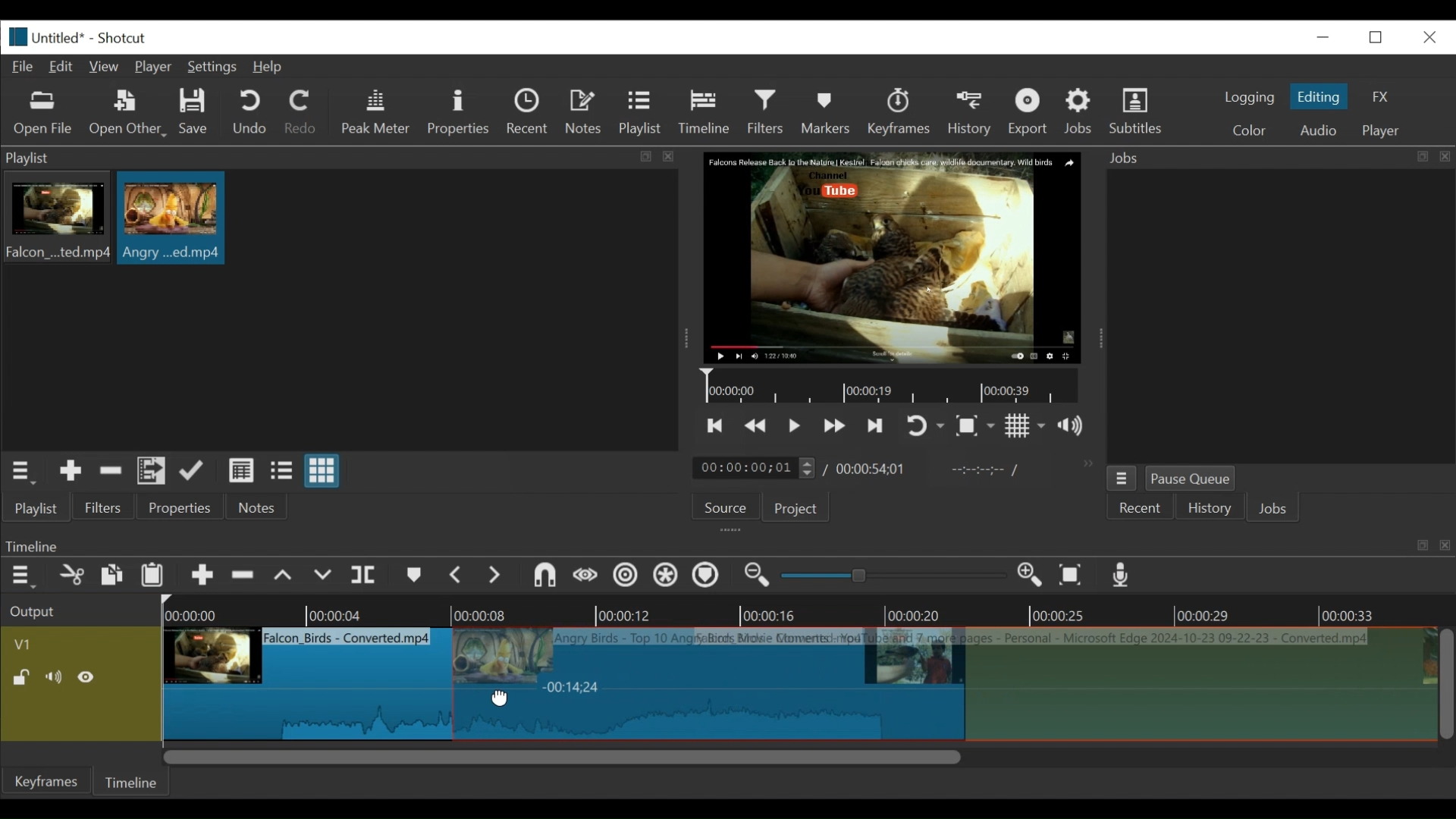  What do you see at coordinates (152, 473) in the screenshot?
I see `Add files to playlist` at bounding box center [152, 473].